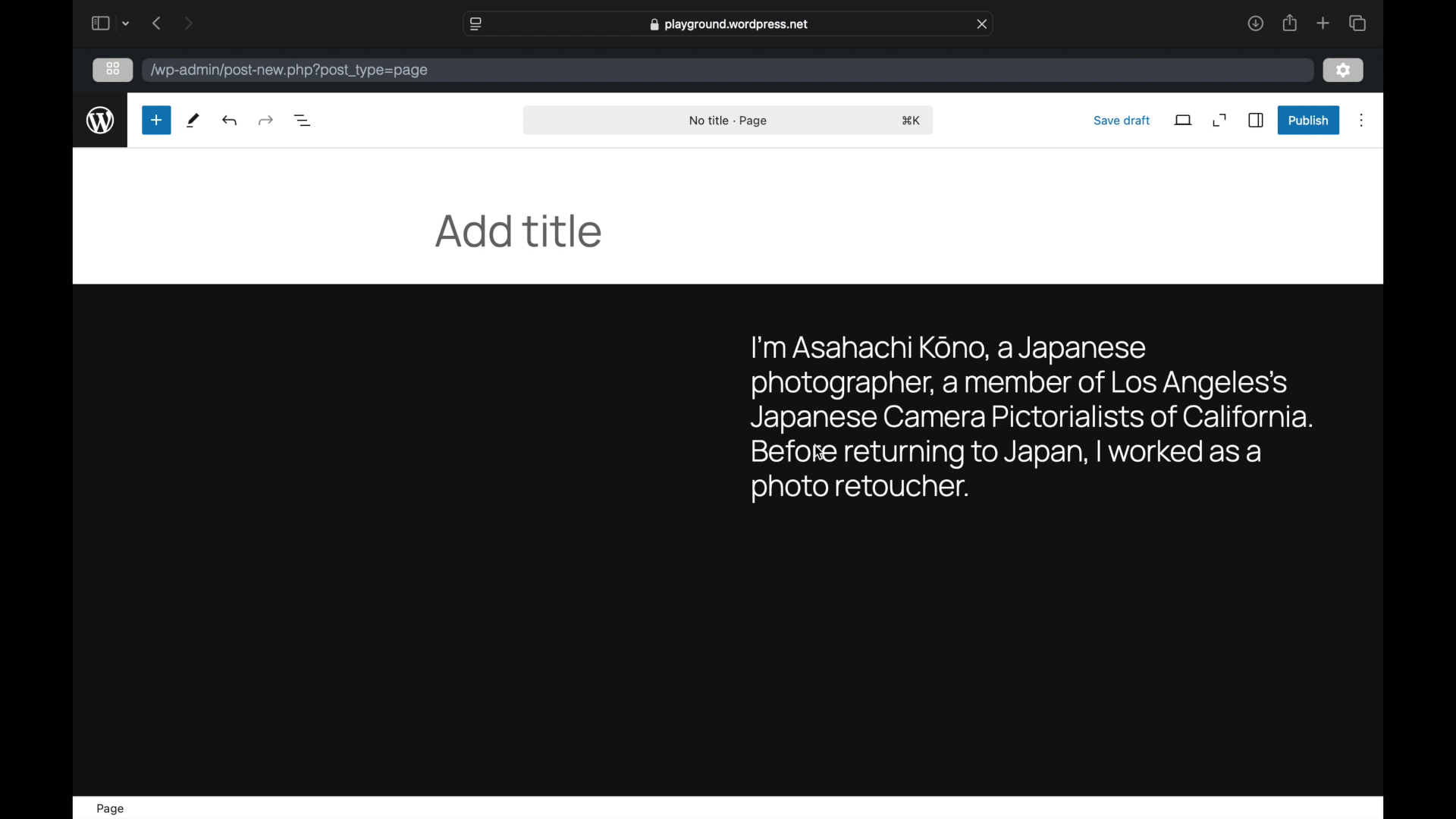 The height and width of the screenshot is (819, 1456). Describe the element at coordinates (290, 71) in the screenshot. I see `wordpress address` at that location.